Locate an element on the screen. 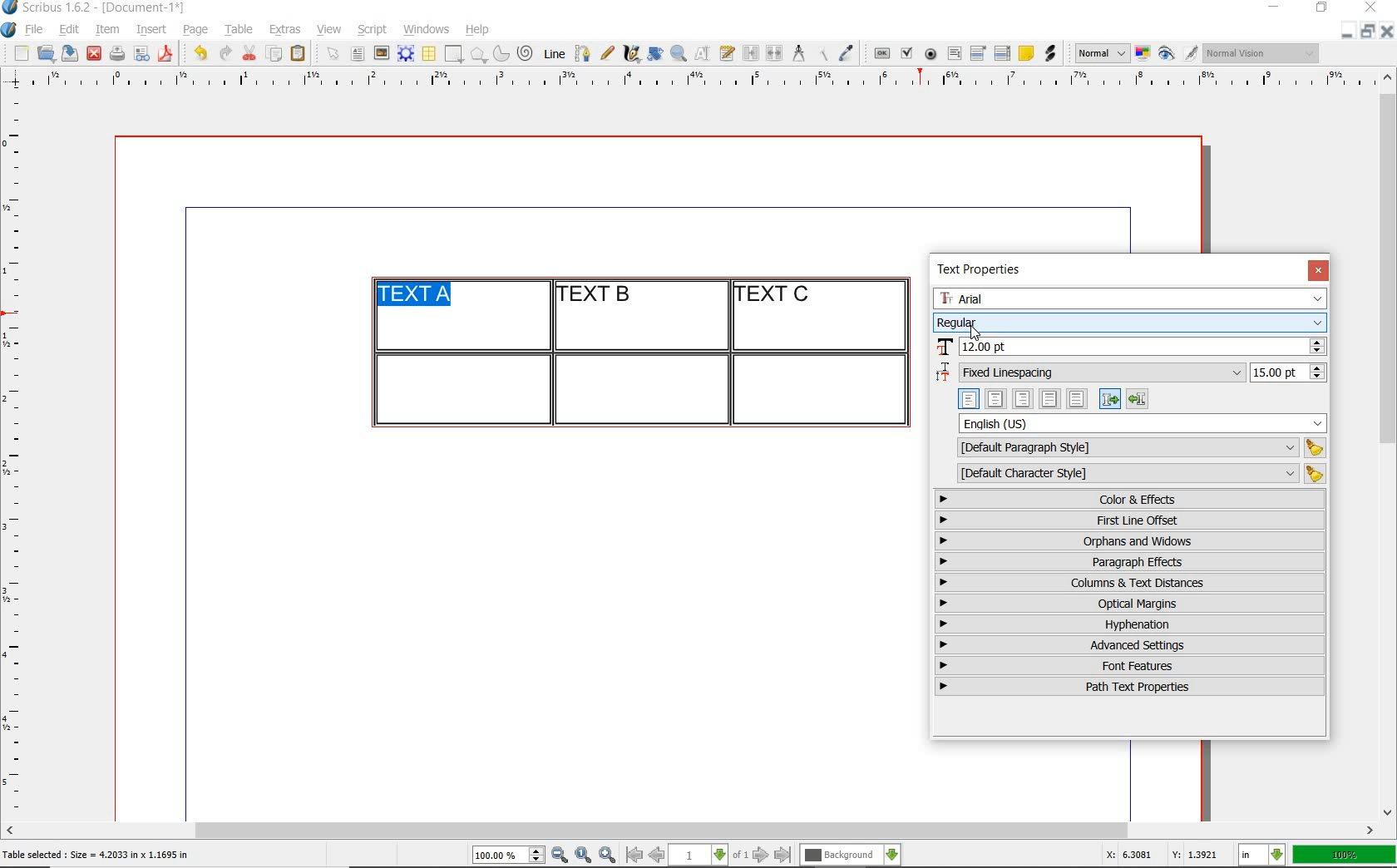 The width and height of the screenshot is (1397, 868). preflight verifier is located at coordinates (142, 55).